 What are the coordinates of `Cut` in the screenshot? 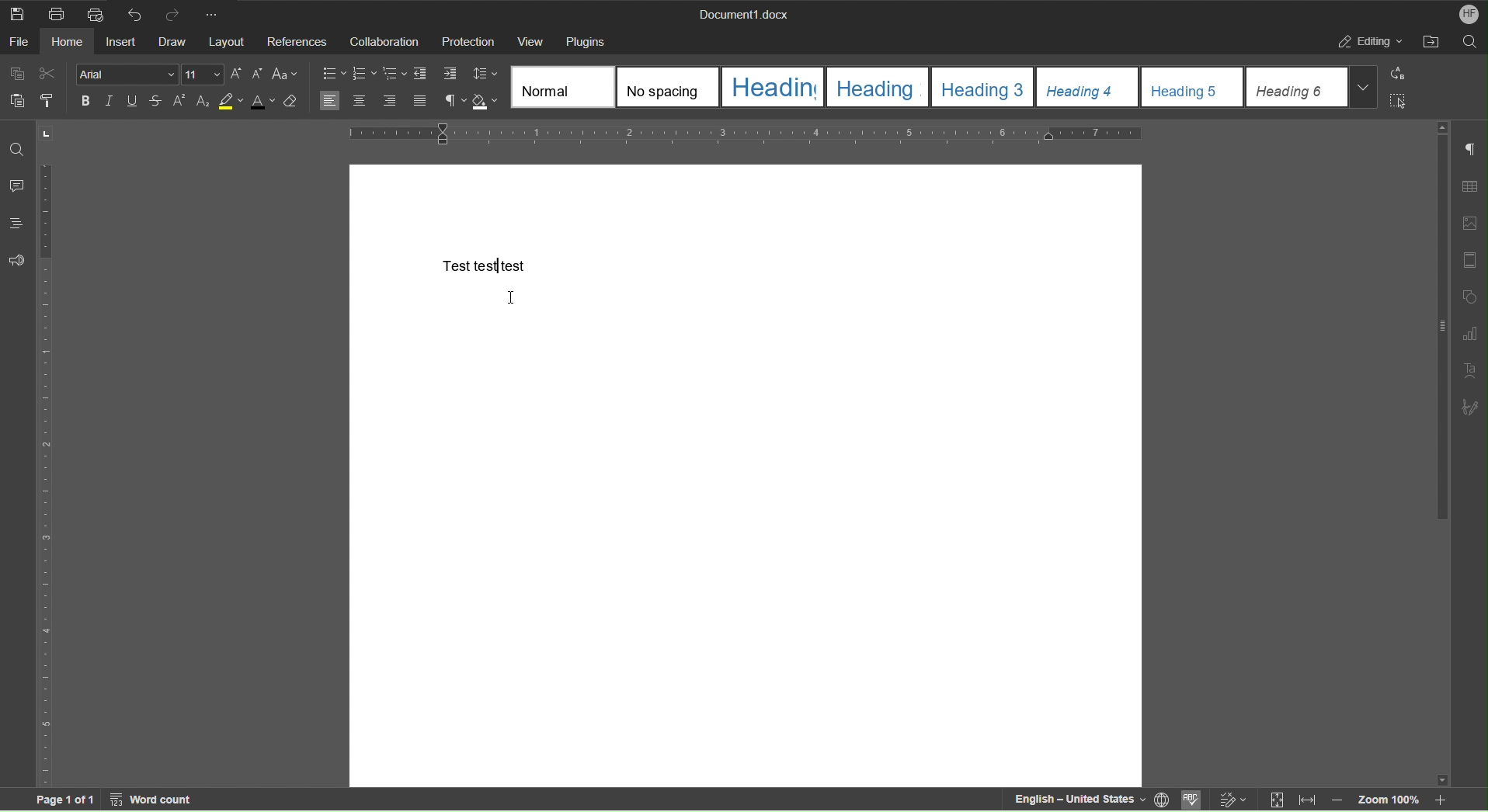 It's located at (48, 75).